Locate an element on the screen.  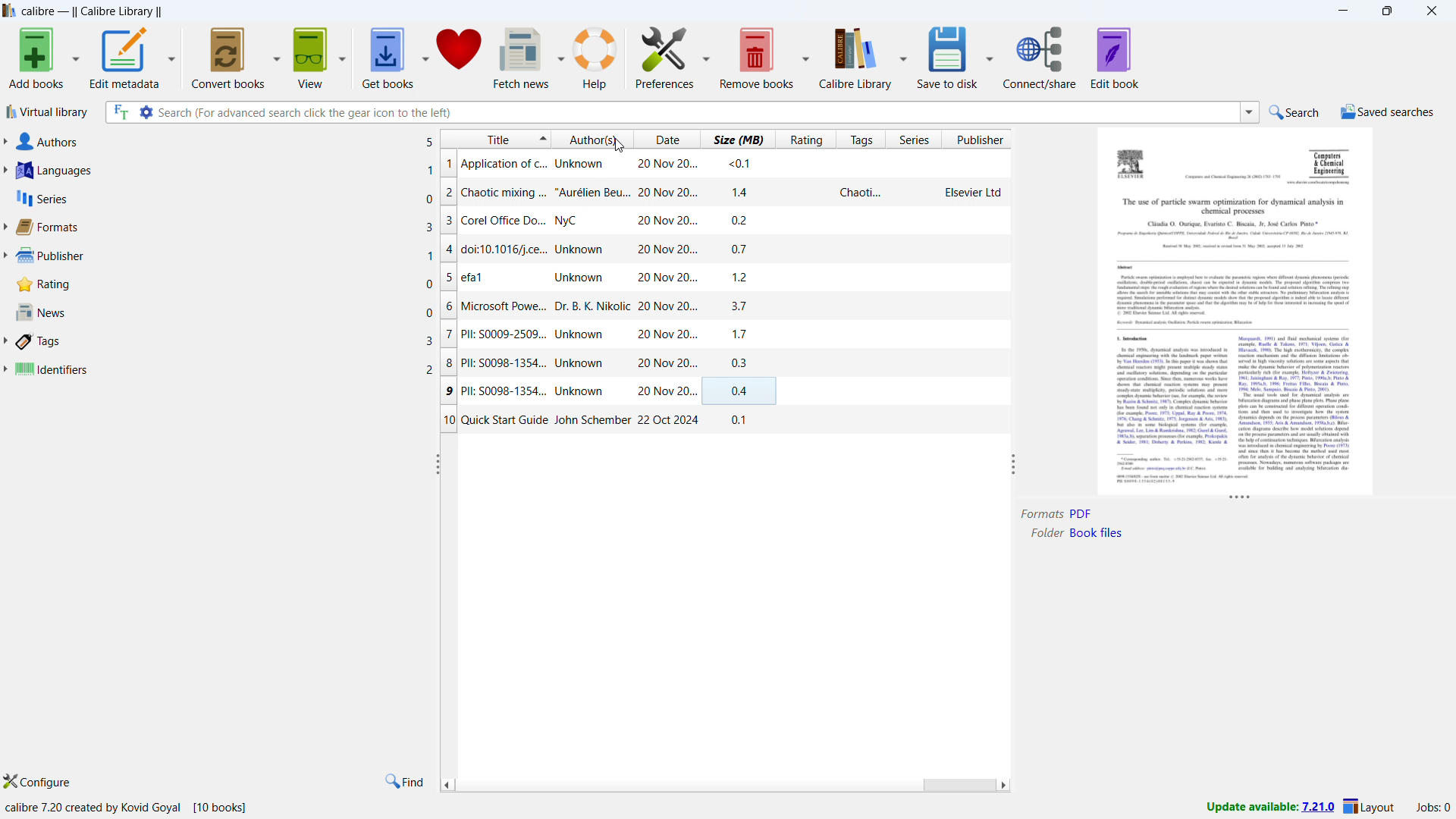
news is located at coordinates (224, 312).